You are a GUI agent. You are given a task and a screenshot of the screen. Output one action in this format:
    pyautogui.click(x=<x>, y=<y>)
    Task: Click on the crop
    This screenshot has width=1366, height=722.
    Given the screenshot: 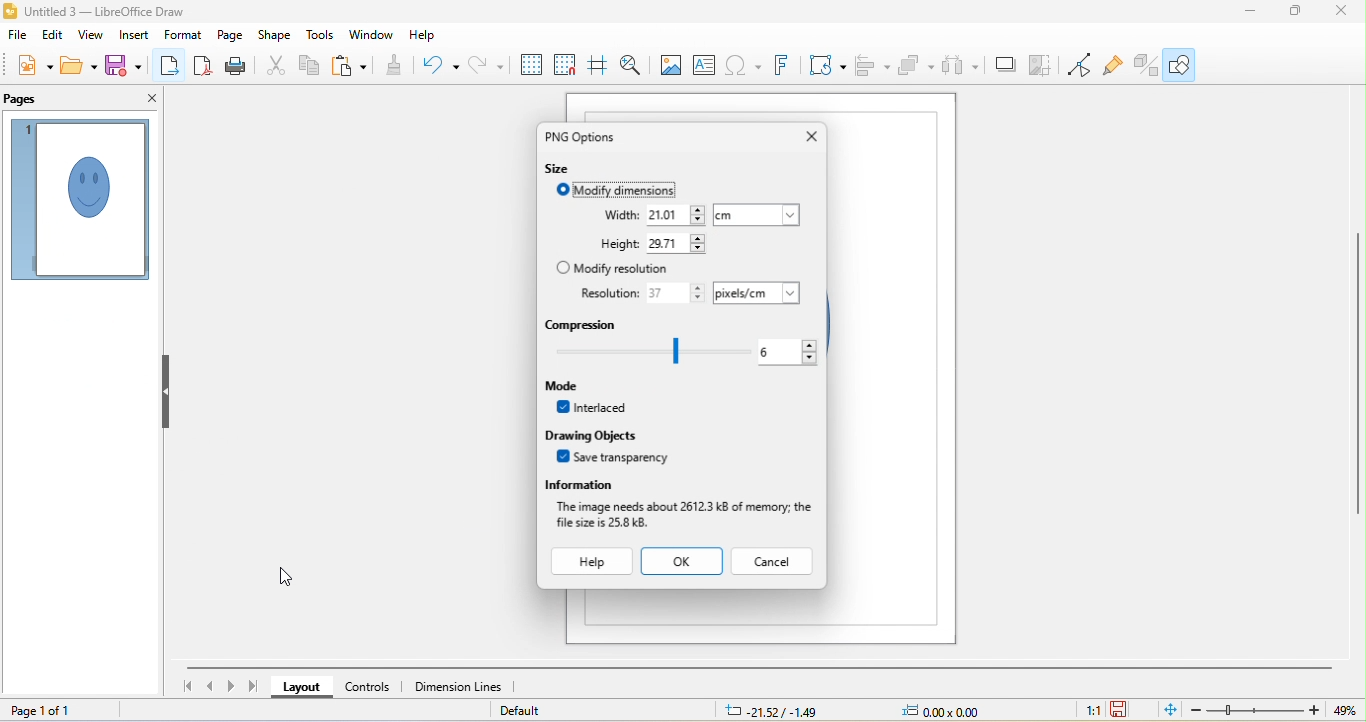 What is the action you would take?
    pyautogui.click(x=1042, y=65)
    